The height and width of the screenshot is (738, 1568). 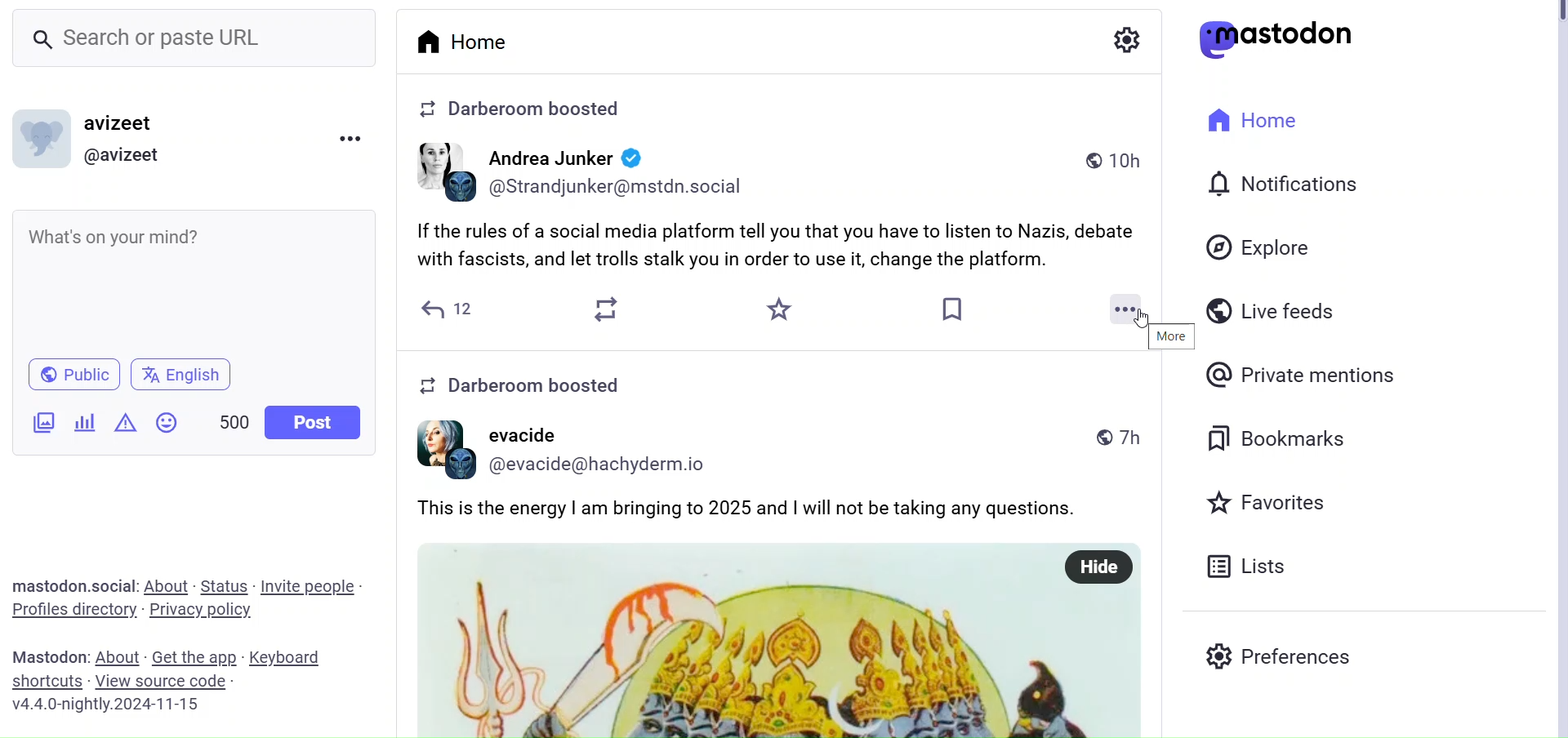 I want to click on profile image, so click(x=444, y=450).